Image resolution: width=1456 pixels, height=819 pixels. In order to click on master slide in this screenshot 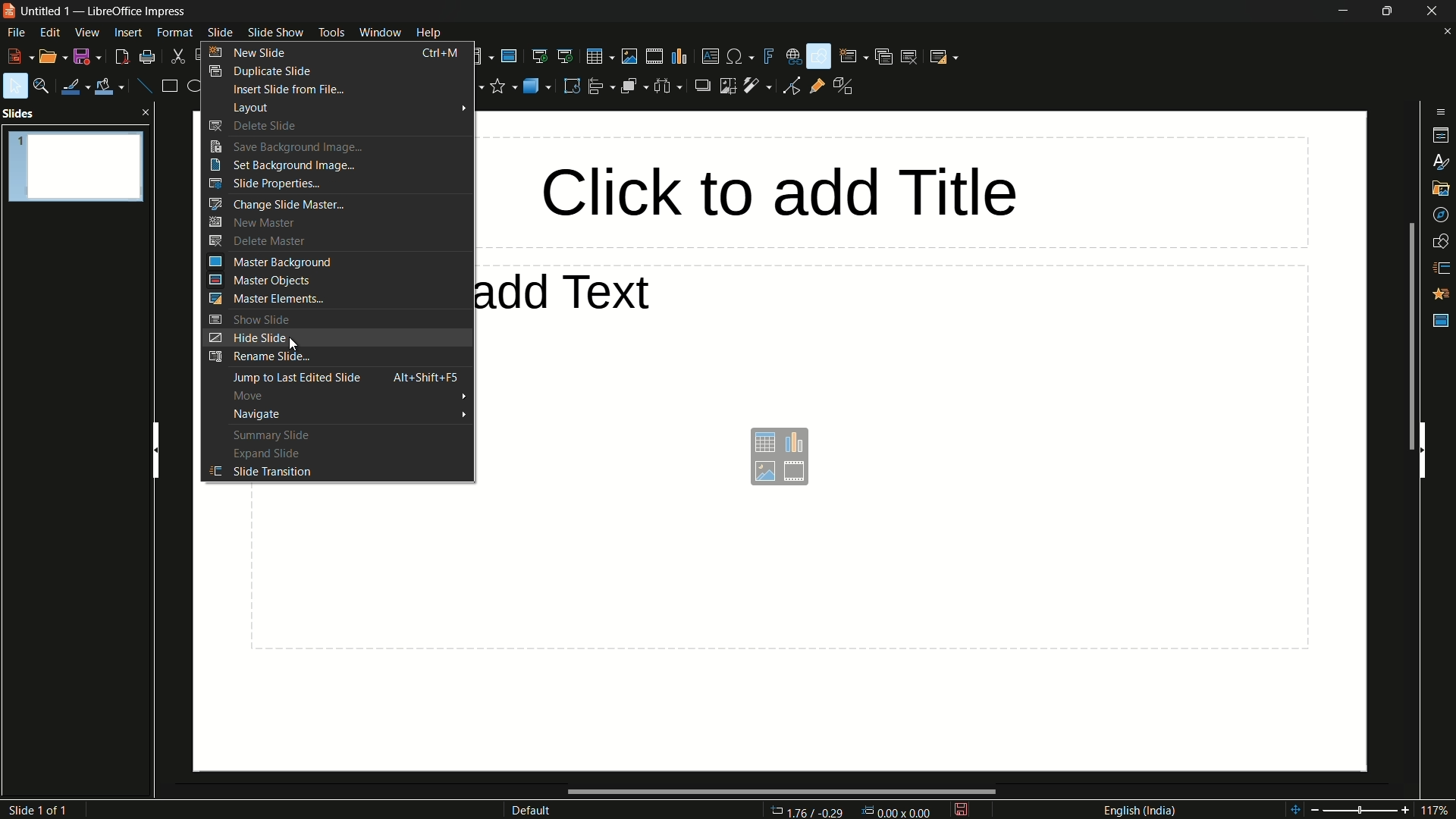, I will do `click(509, 56)`.